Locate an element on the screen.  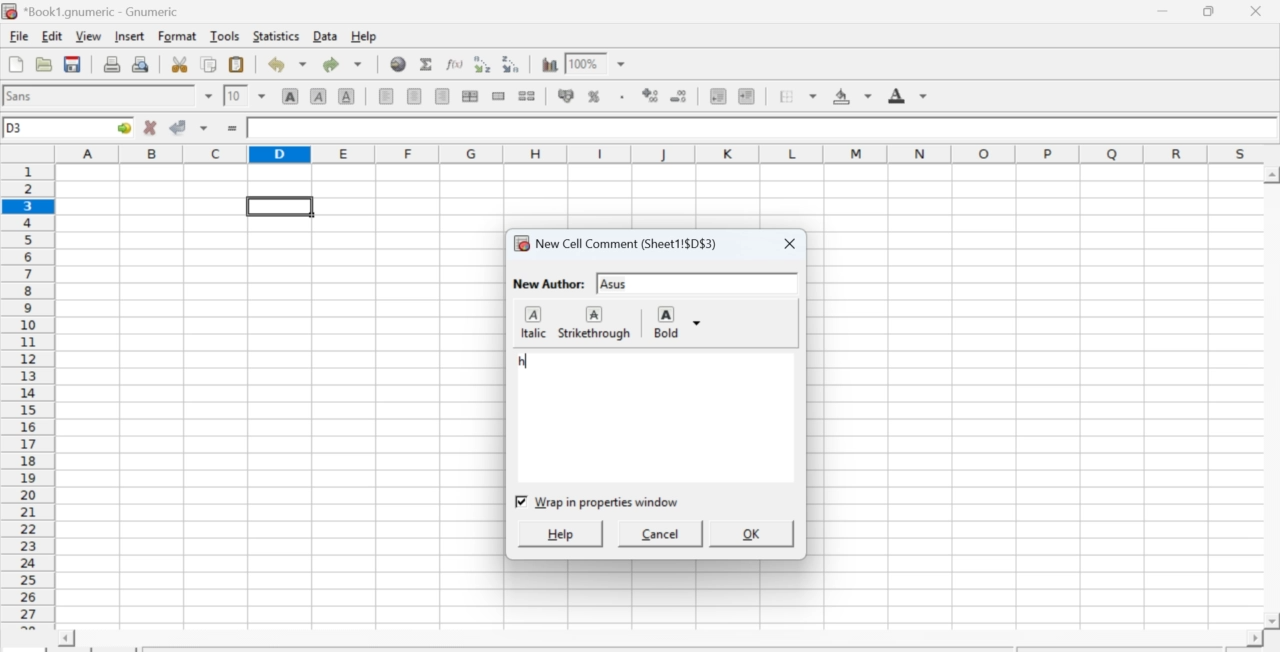
Format the selection as accounting is located at coordinates (566, 95).